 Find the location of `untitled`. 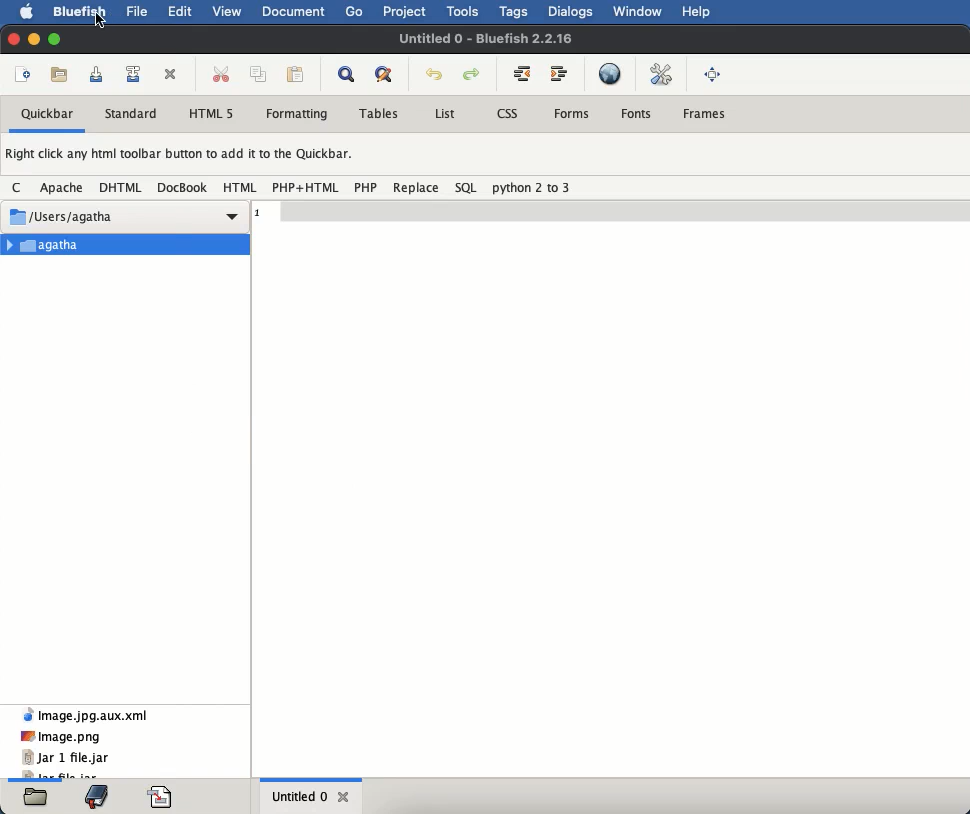

untitled is located at coordinates (488, 37).